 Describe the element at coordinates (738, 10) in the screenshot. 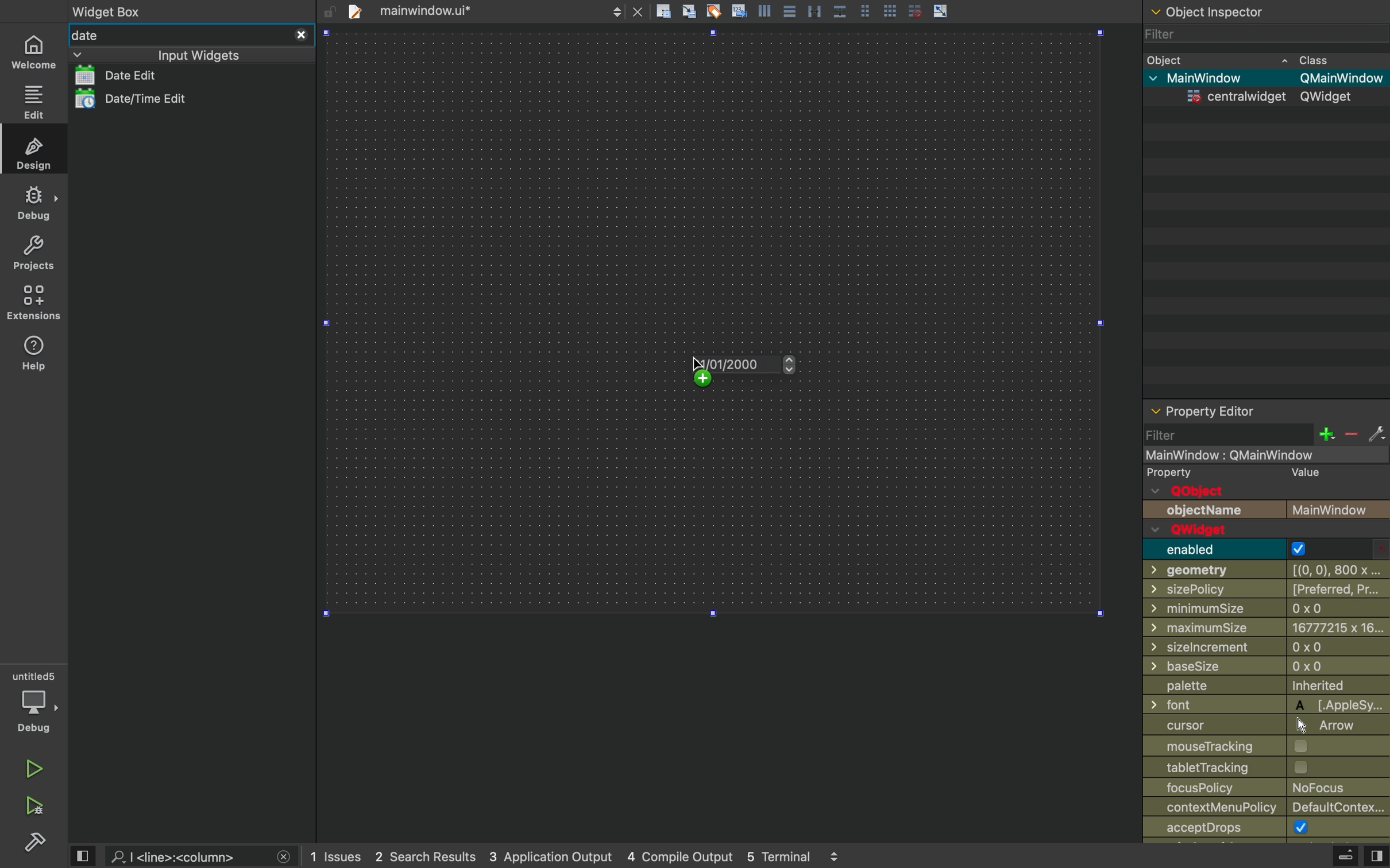

I see `insert text` at that location.